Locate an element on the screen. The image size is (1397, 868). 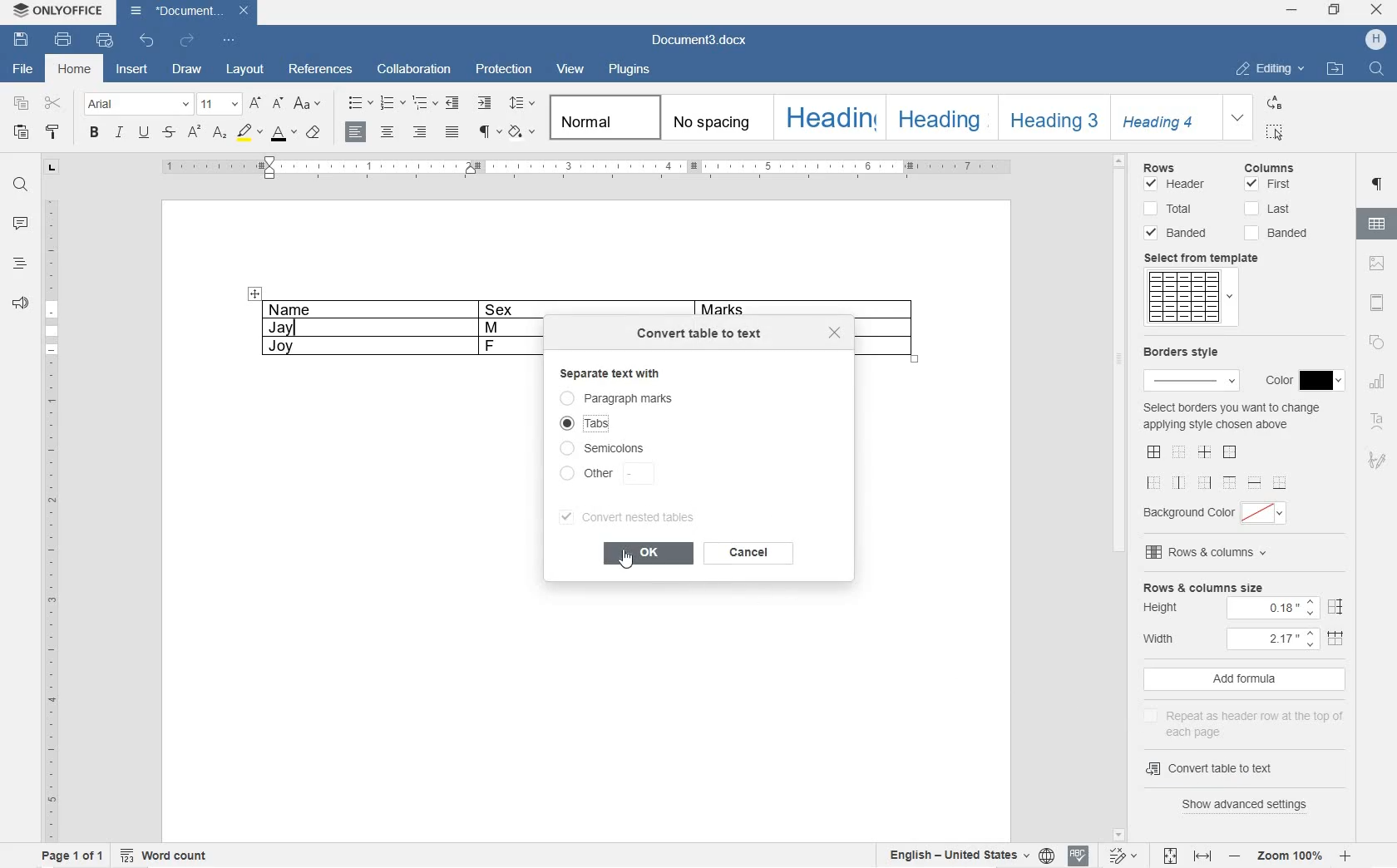
UNDERLINE is located at coordinates (144, 133).